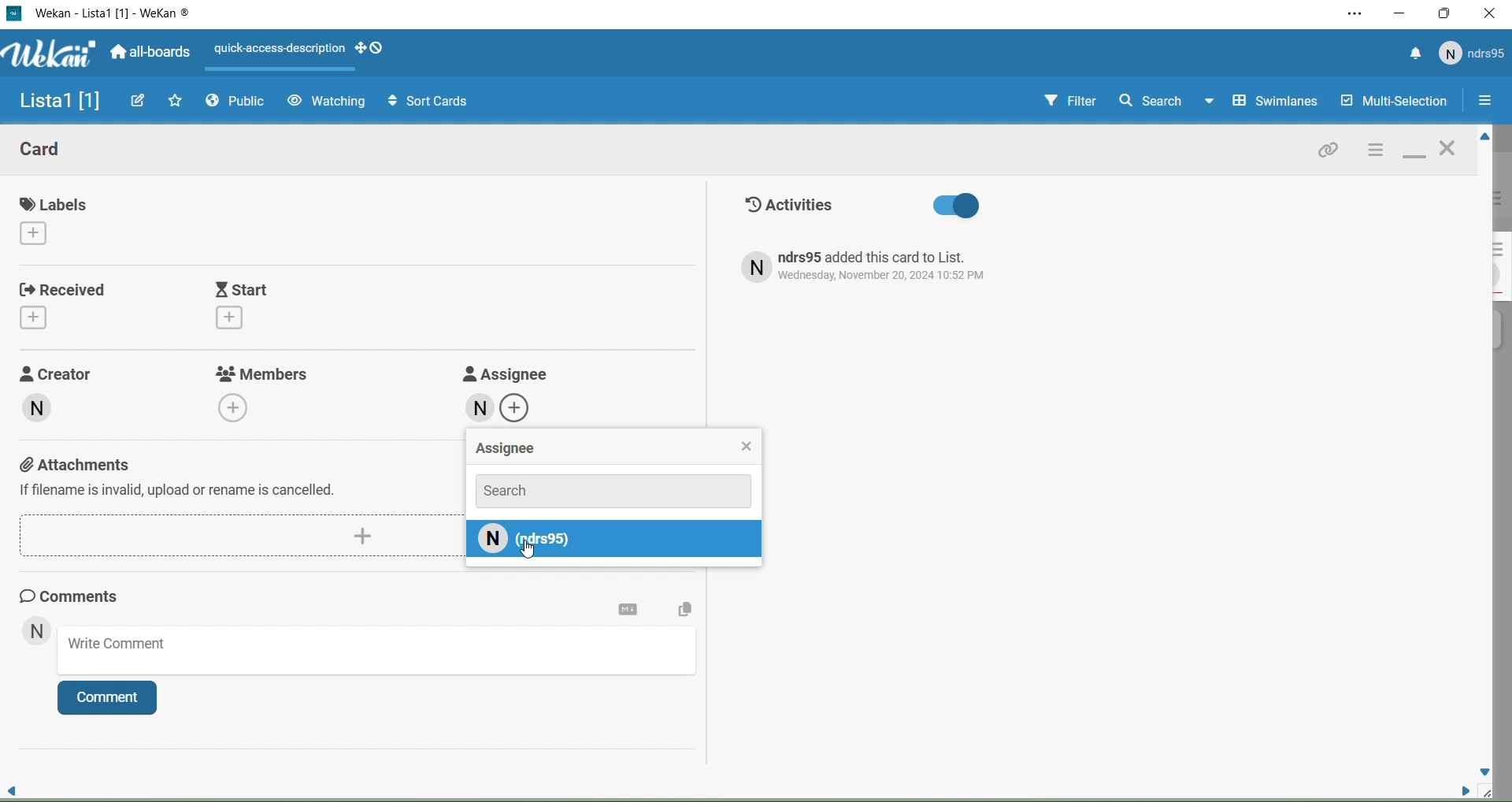 This screenshot has height=802, width=1512. What do you see at coordinates (1485, 770) in the screenshot?
I see `move down` at bounding box center [1485, 770].